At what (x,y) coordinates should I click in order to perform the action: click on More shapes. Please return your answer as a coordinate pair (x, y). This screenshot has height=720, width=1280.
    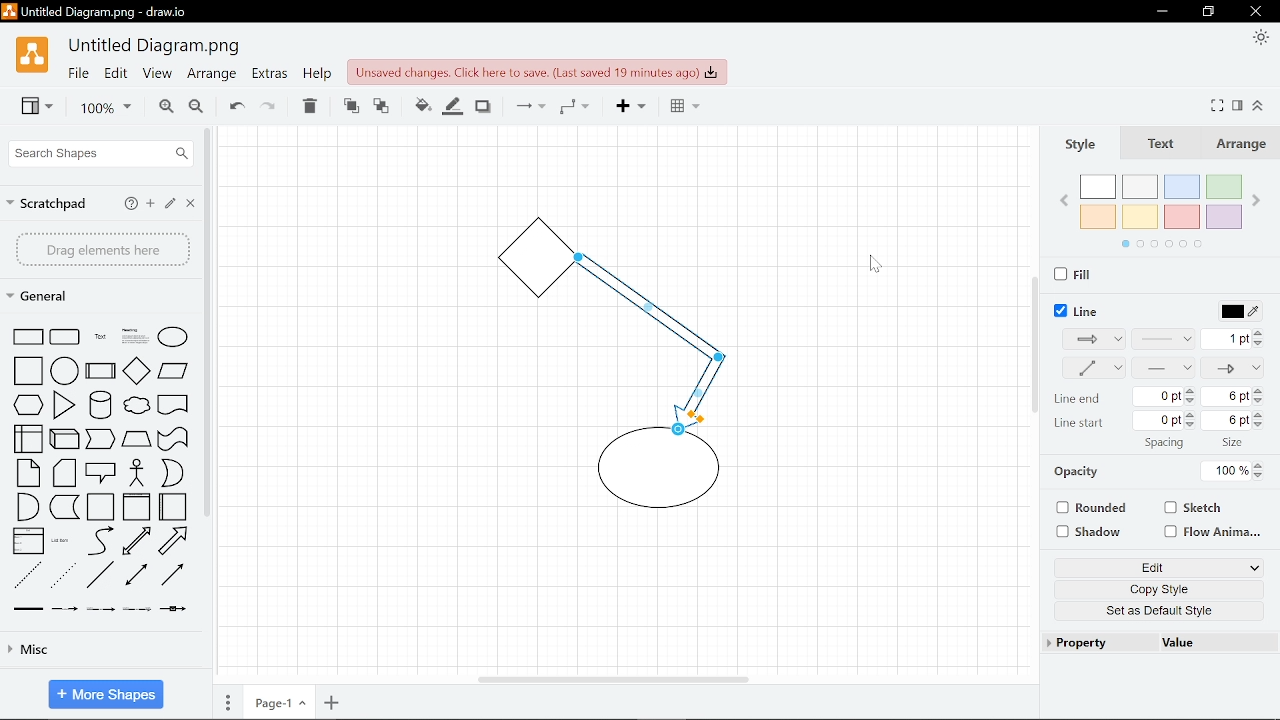
    Looking at the image, I should click on (105, 692).